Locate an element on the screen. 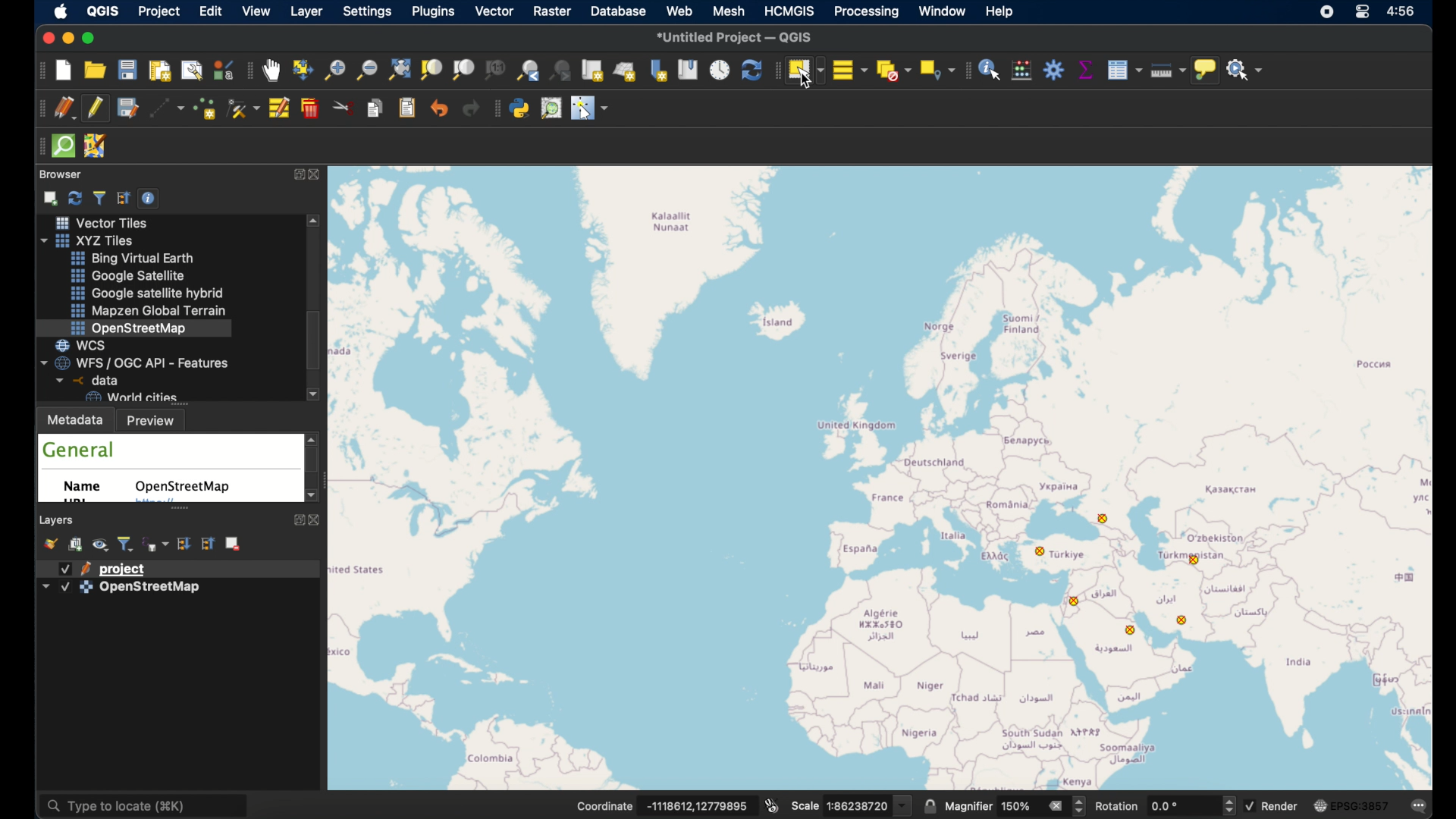 Image resolution: width=1456 pixels, height=819 pixels. plugins is located at coordinates (433, 13).